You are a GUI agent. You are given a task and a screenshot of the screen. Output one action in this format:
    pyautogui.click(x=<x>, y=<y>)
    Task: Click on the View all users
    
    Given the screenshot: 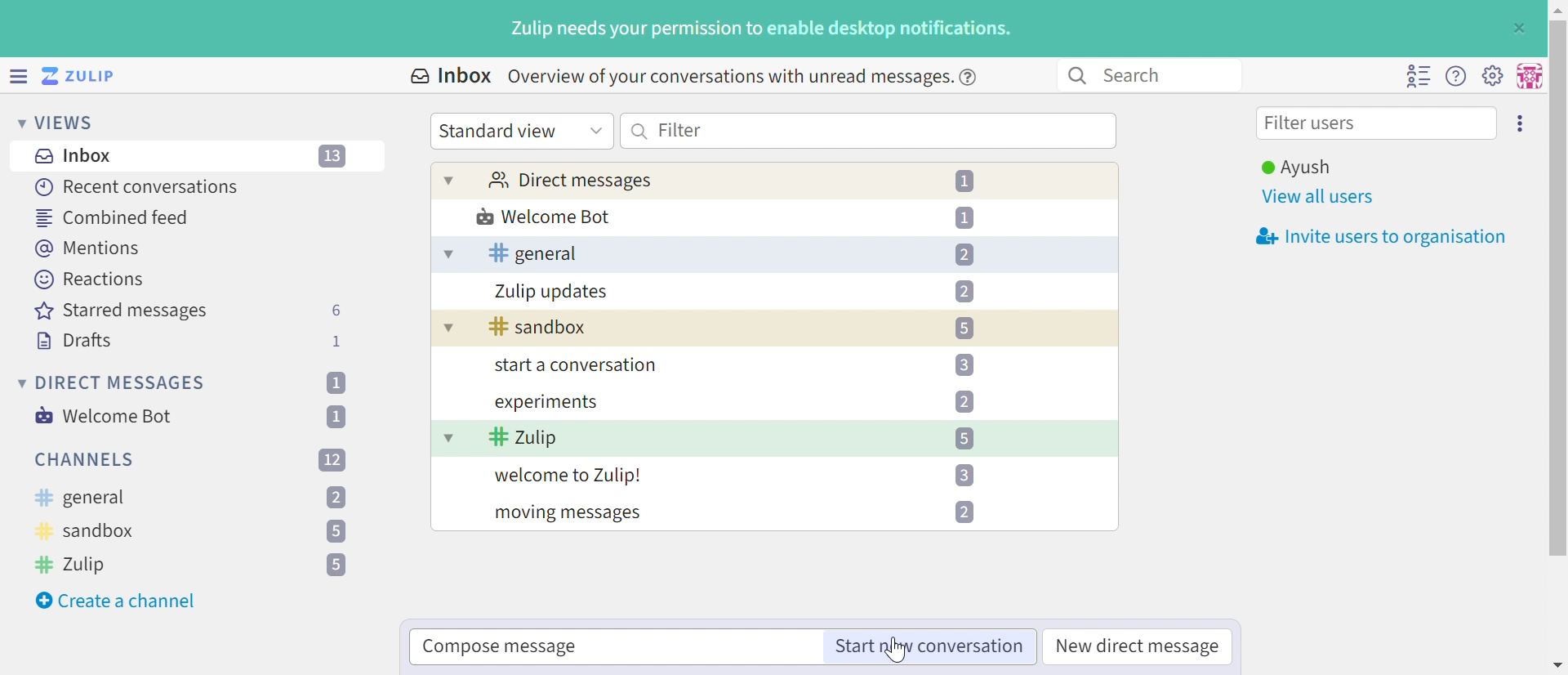 What is the action you would take?
    pyautogui.click(x=1319, y=198)
    